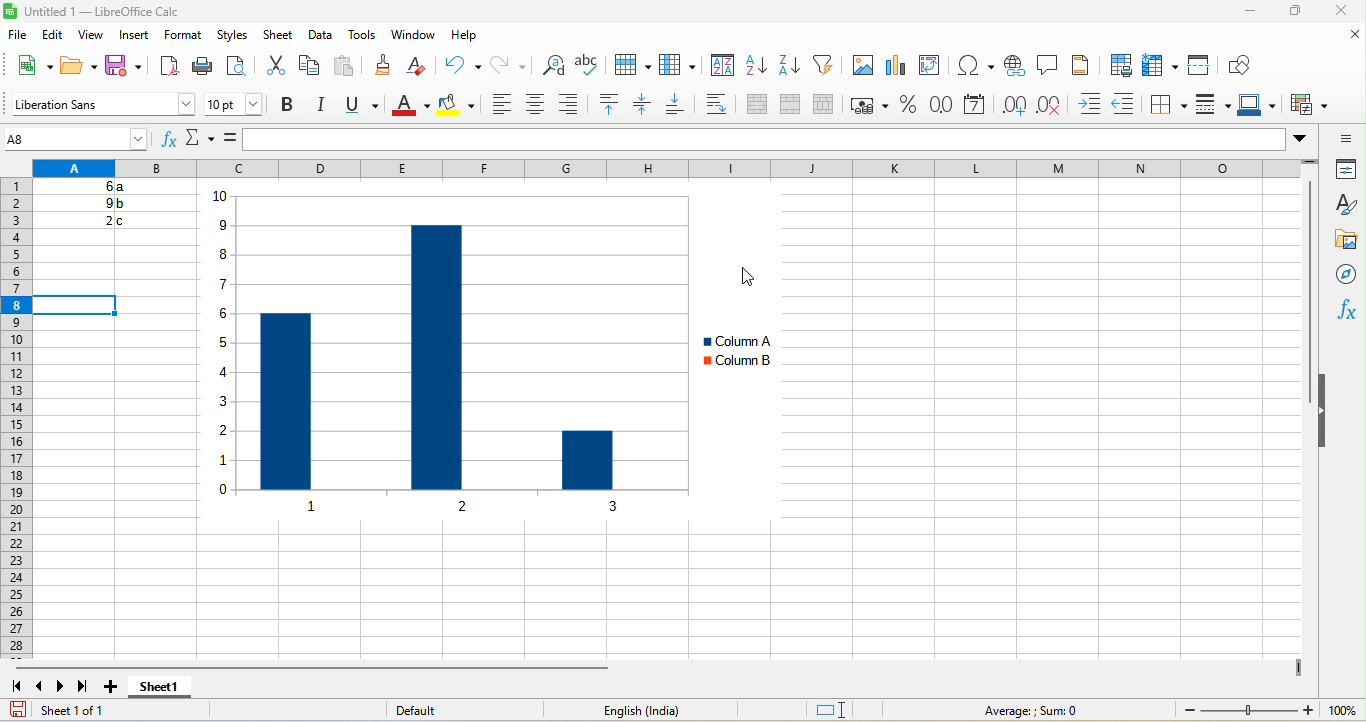 The image size is (1366, 722). What do you see at coordinates (1337, 12) in the screenshot?
I see `close` at bounding box center [1337, 12].